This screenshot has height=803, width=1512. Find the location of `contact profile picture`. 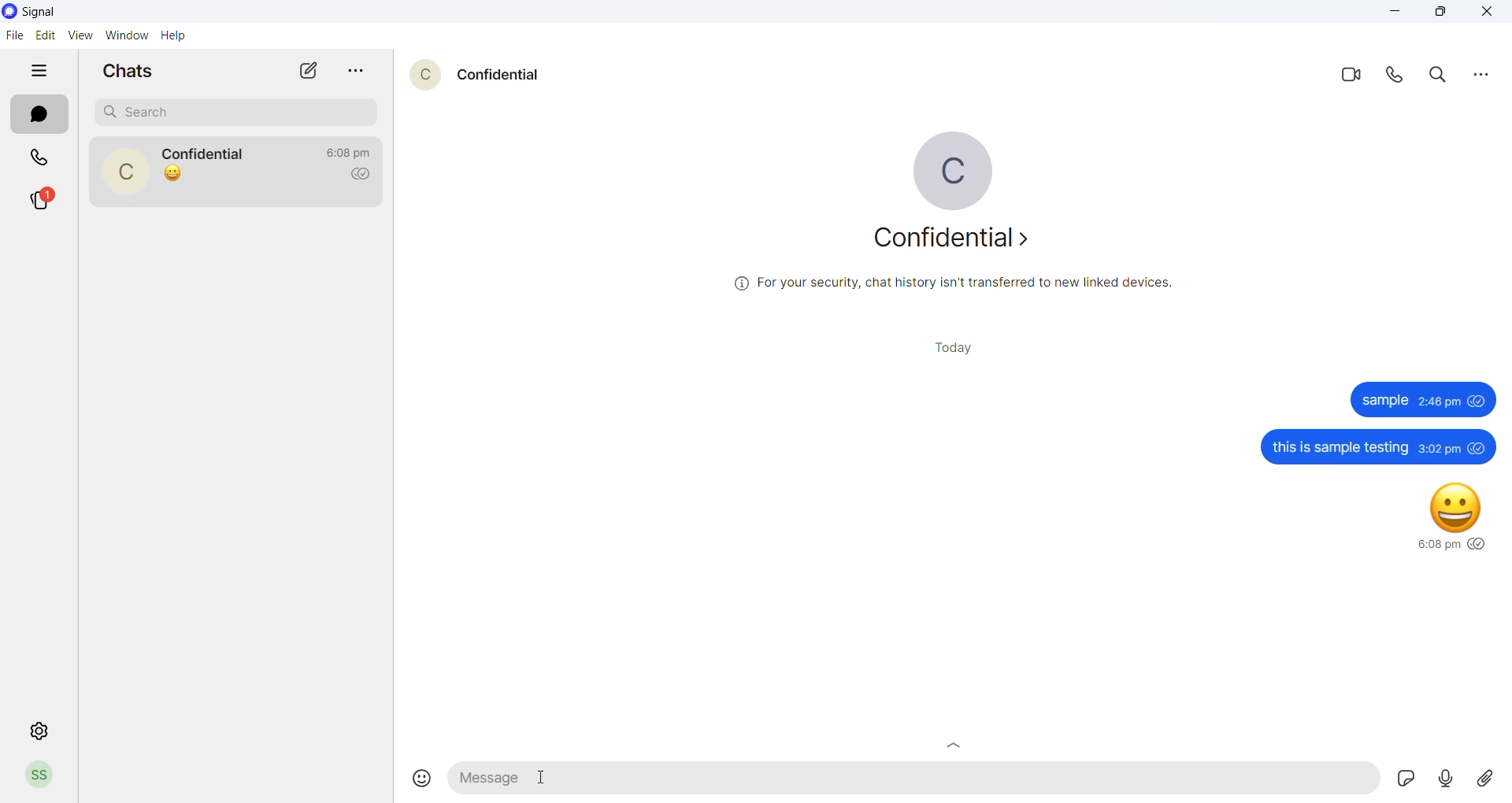

contact profile picture is located at coordinates (130, 173).